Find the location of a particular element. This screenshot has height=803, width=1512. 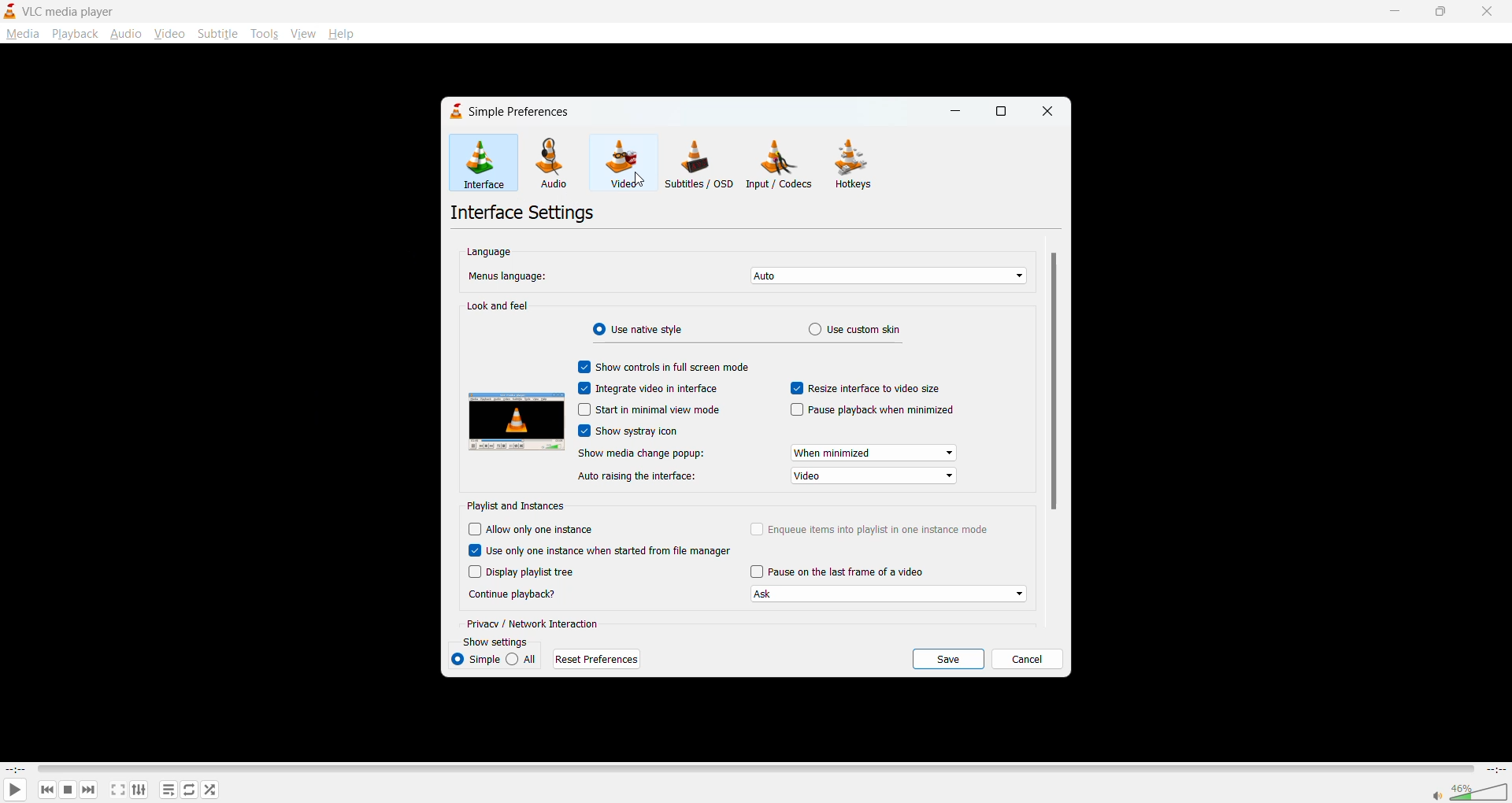

show controls in fullscreen mode is located at coordinates (665, 366).